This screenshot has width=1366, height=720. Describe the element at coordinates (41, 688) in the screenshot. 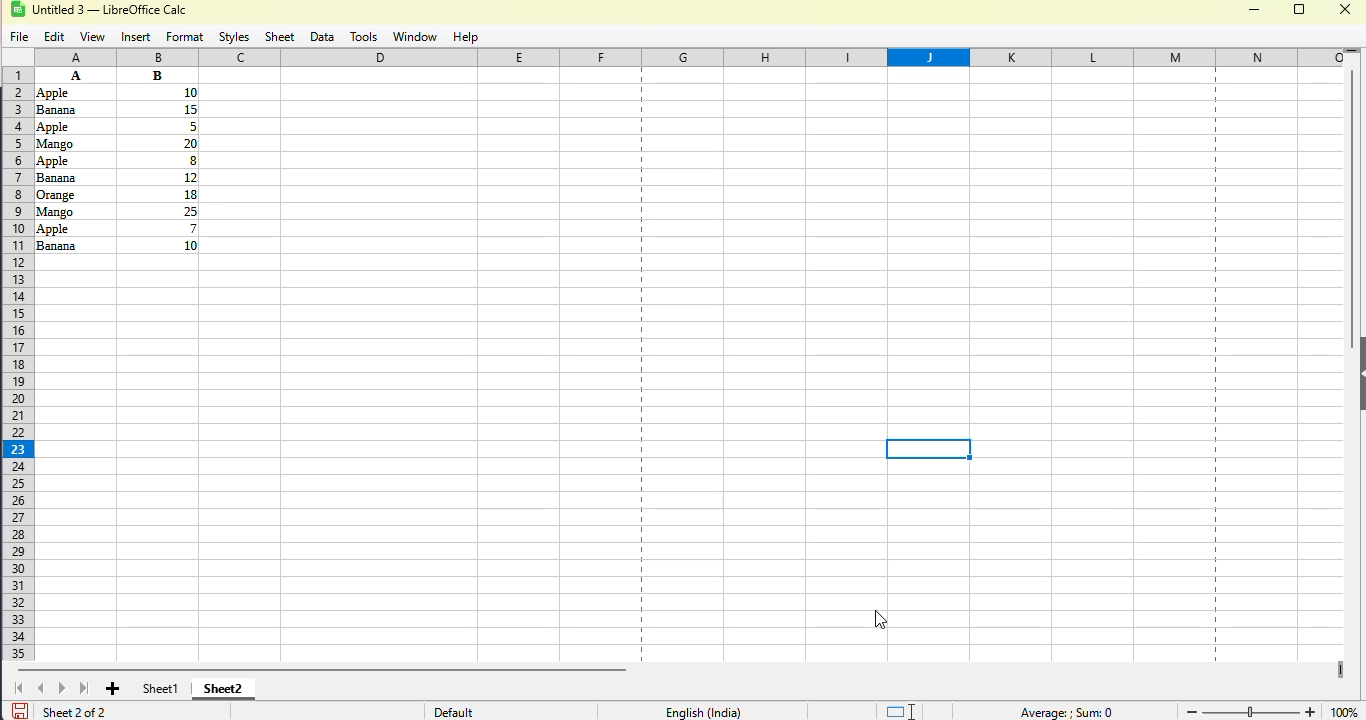

I see `scroll to previous sheet` at that location.